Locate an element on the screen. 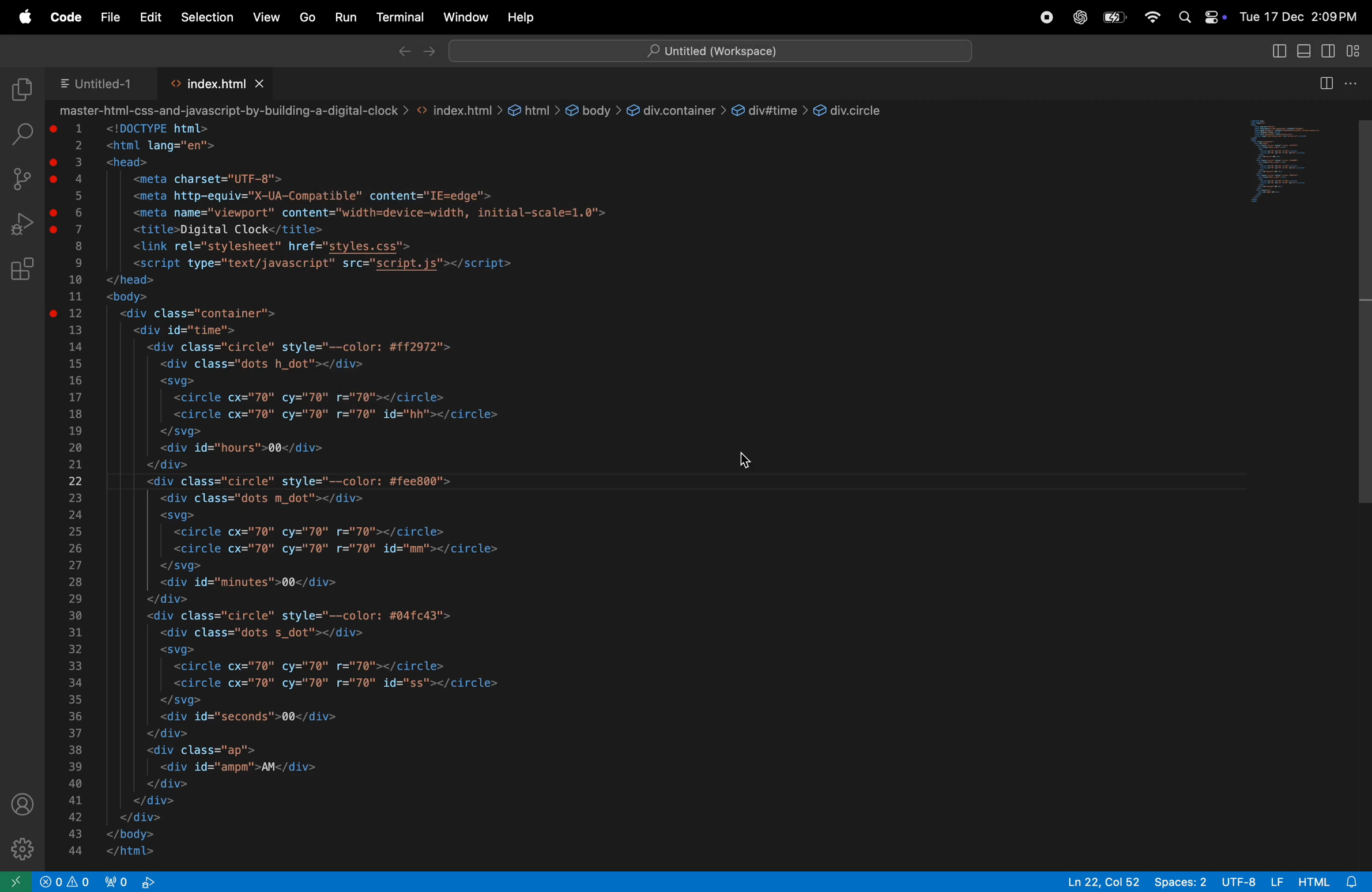   toggle Sidebar is located at coordinates (1279, 53).